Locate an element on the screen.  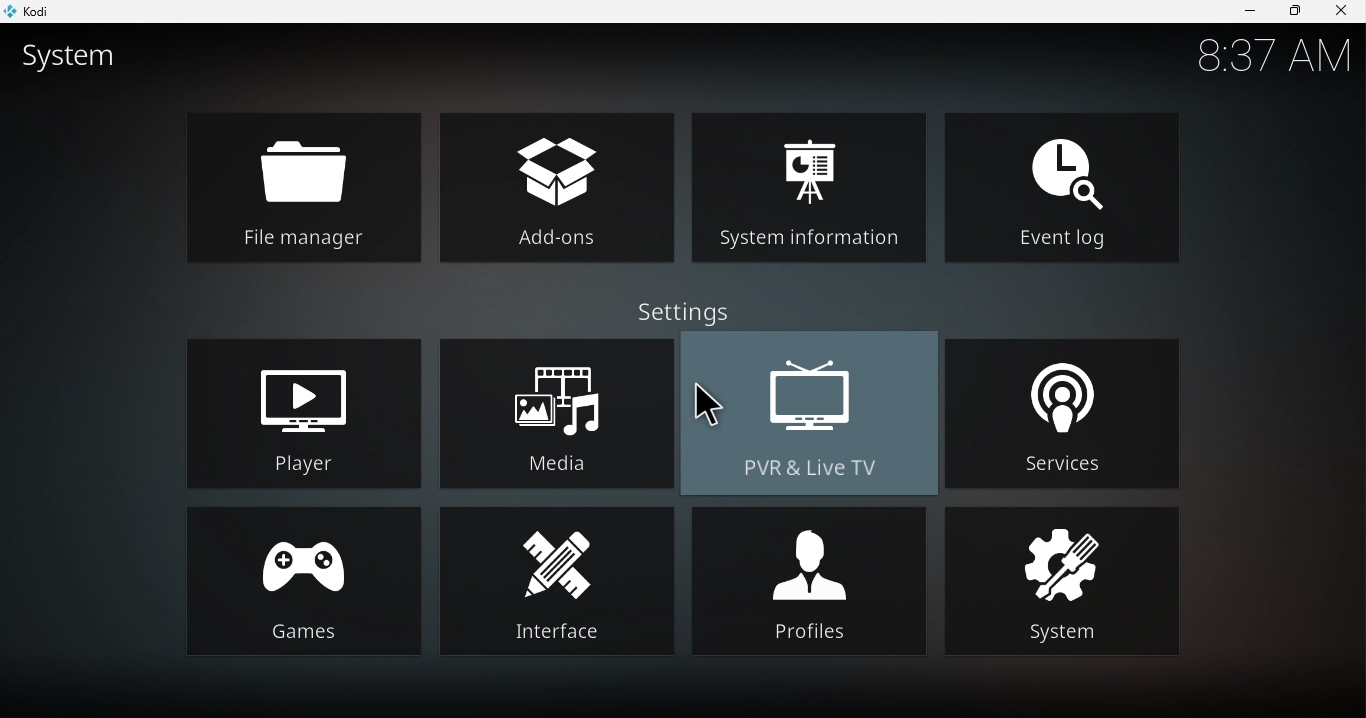
Maximize is located at coordinates (1294, 11).